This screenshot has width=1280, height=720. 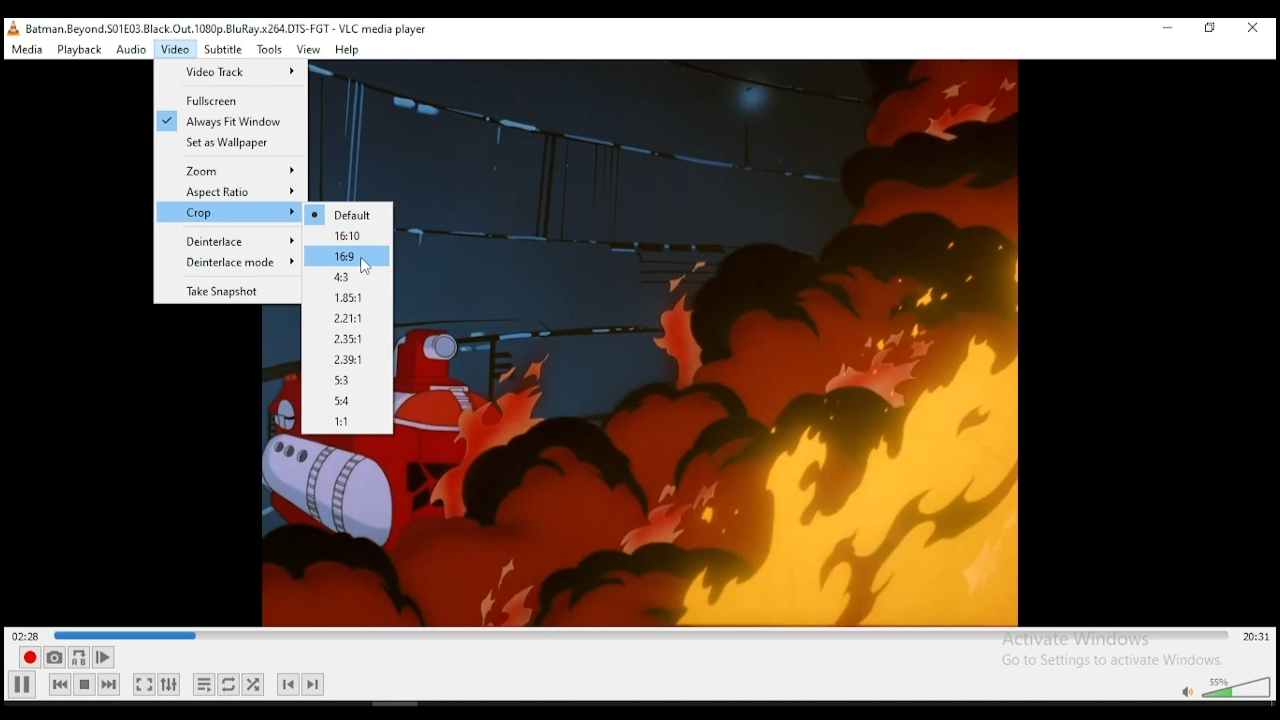 I want to click on Play/pause, so click(x=22, y=685).